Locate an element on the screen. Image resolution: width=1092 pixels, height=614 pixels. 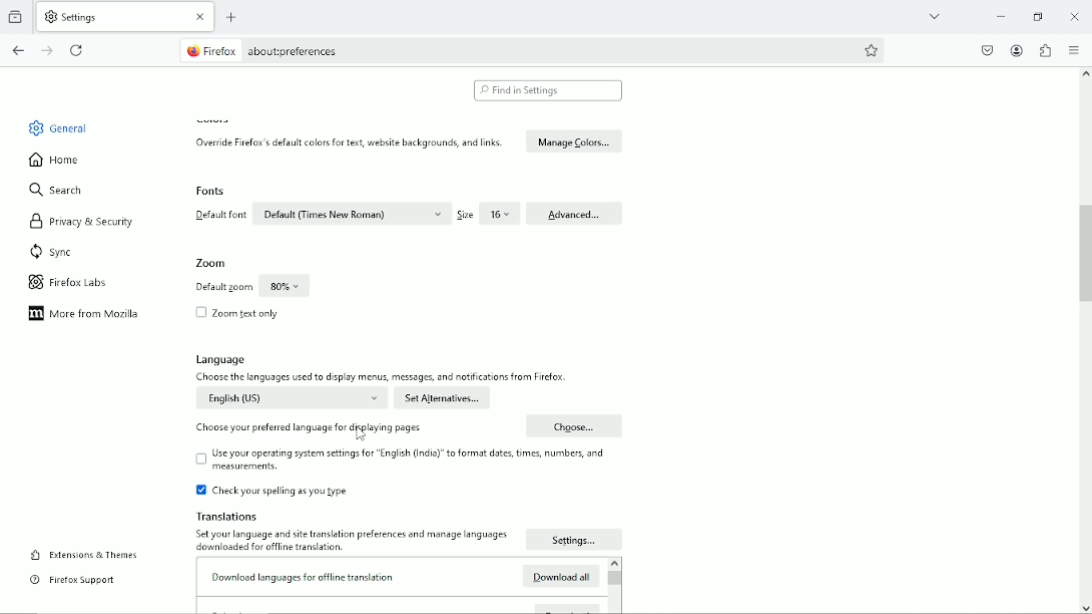
Manage Colors... is located at coordinates (574, 141).